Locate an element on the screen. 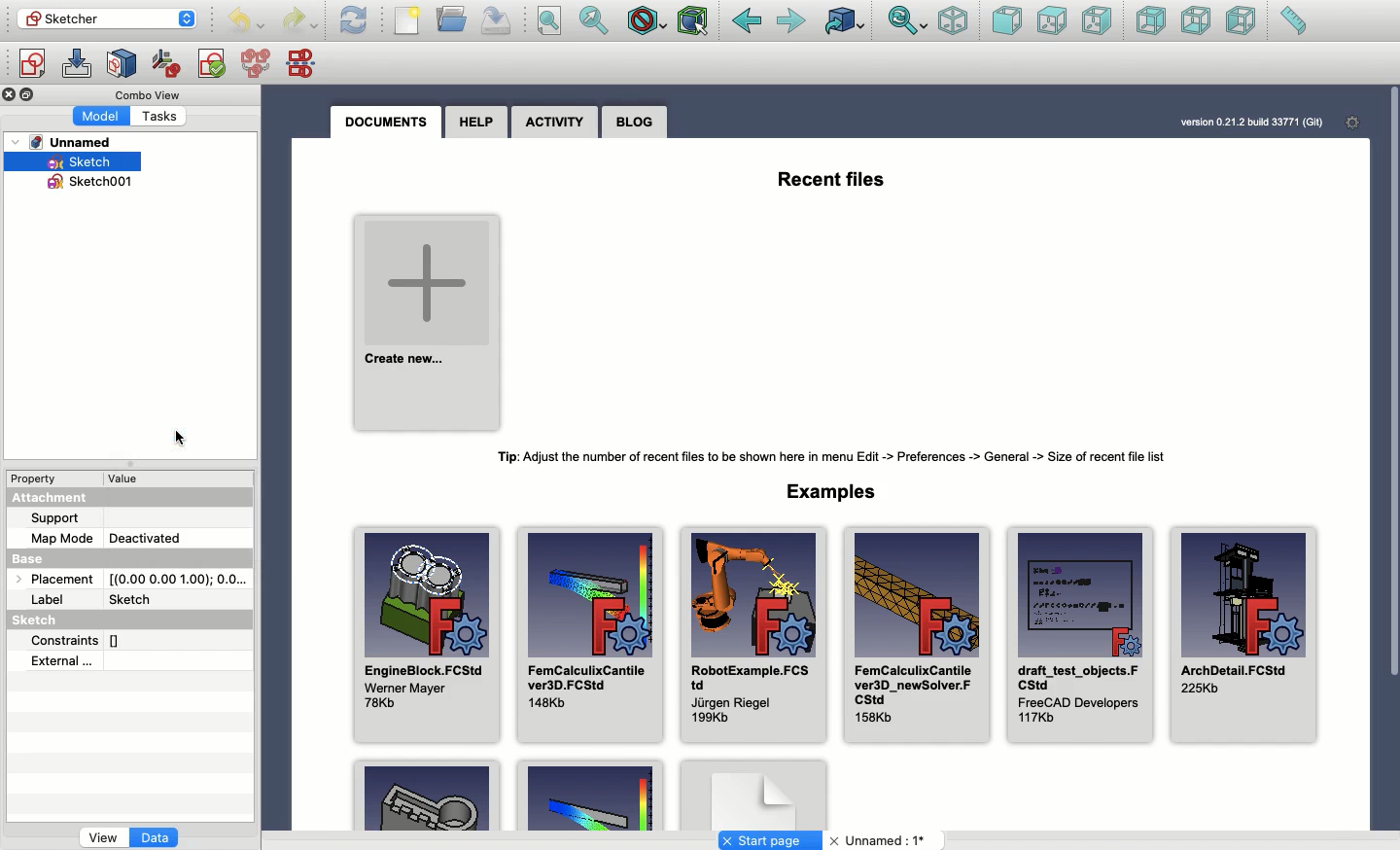  Undo is located at coordinates (246, 22).